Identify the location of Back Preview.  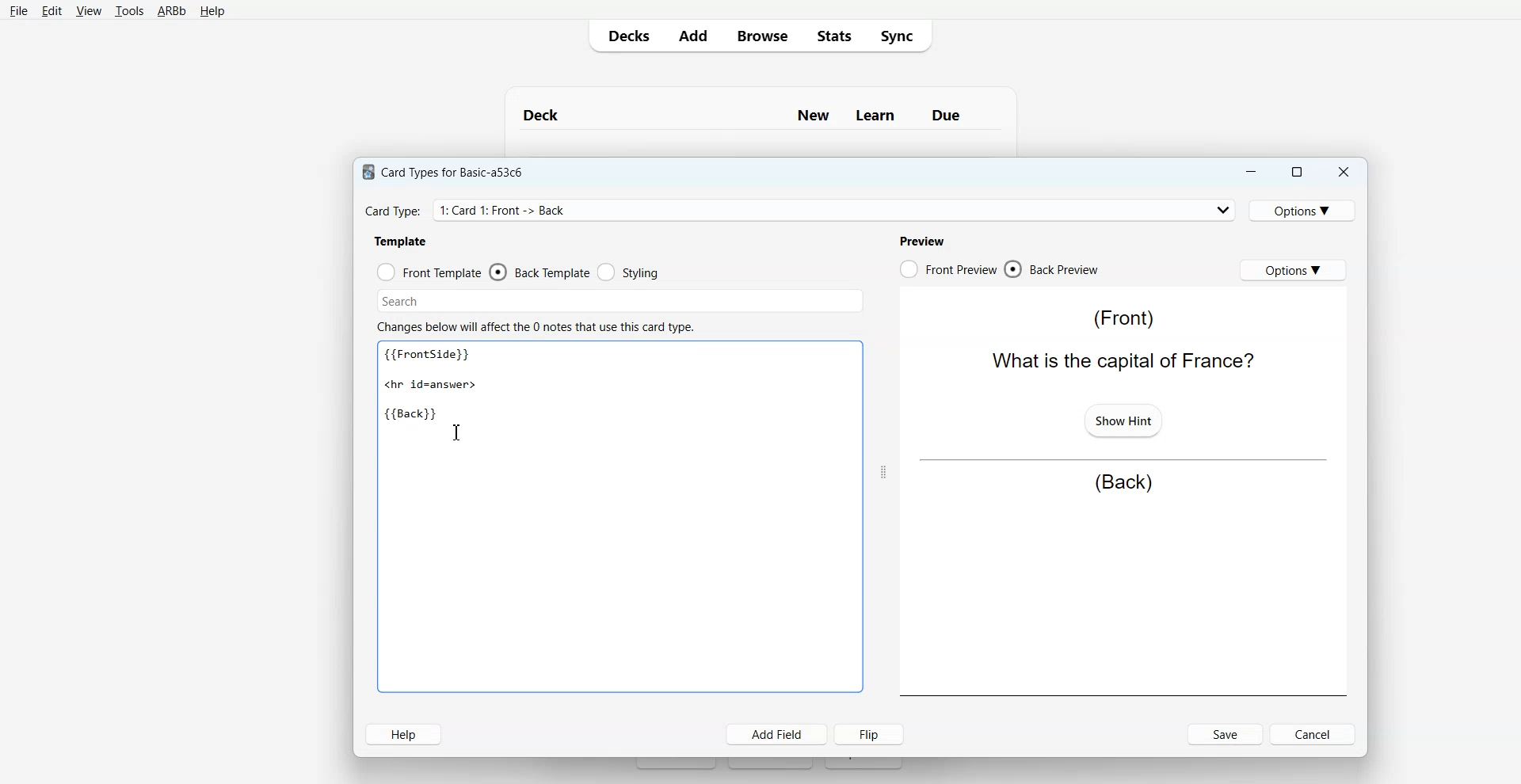
(1052, 269).